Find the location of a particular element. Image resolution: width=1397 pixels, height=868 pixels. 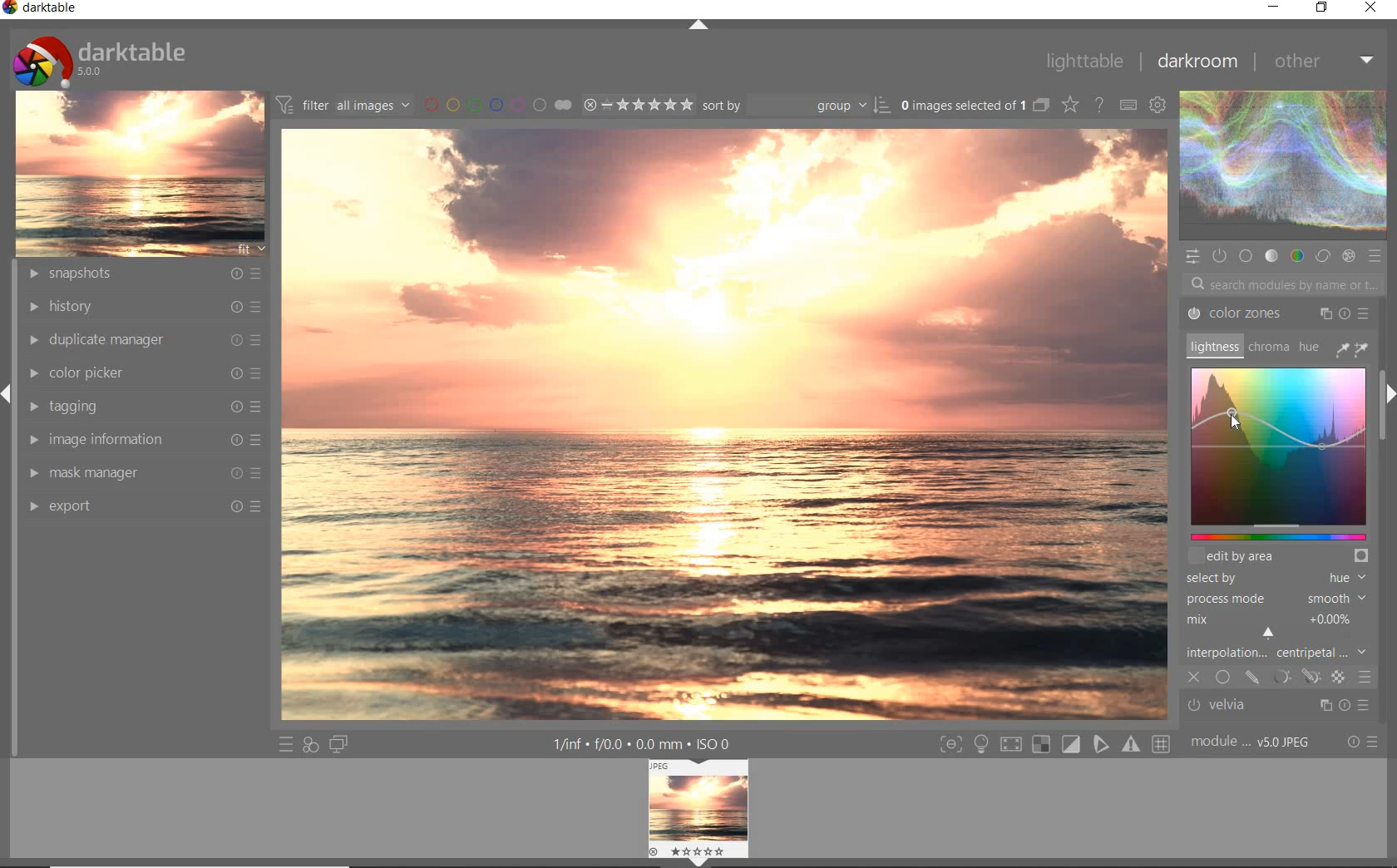

lighttable is located at coordinates (1083, 61).